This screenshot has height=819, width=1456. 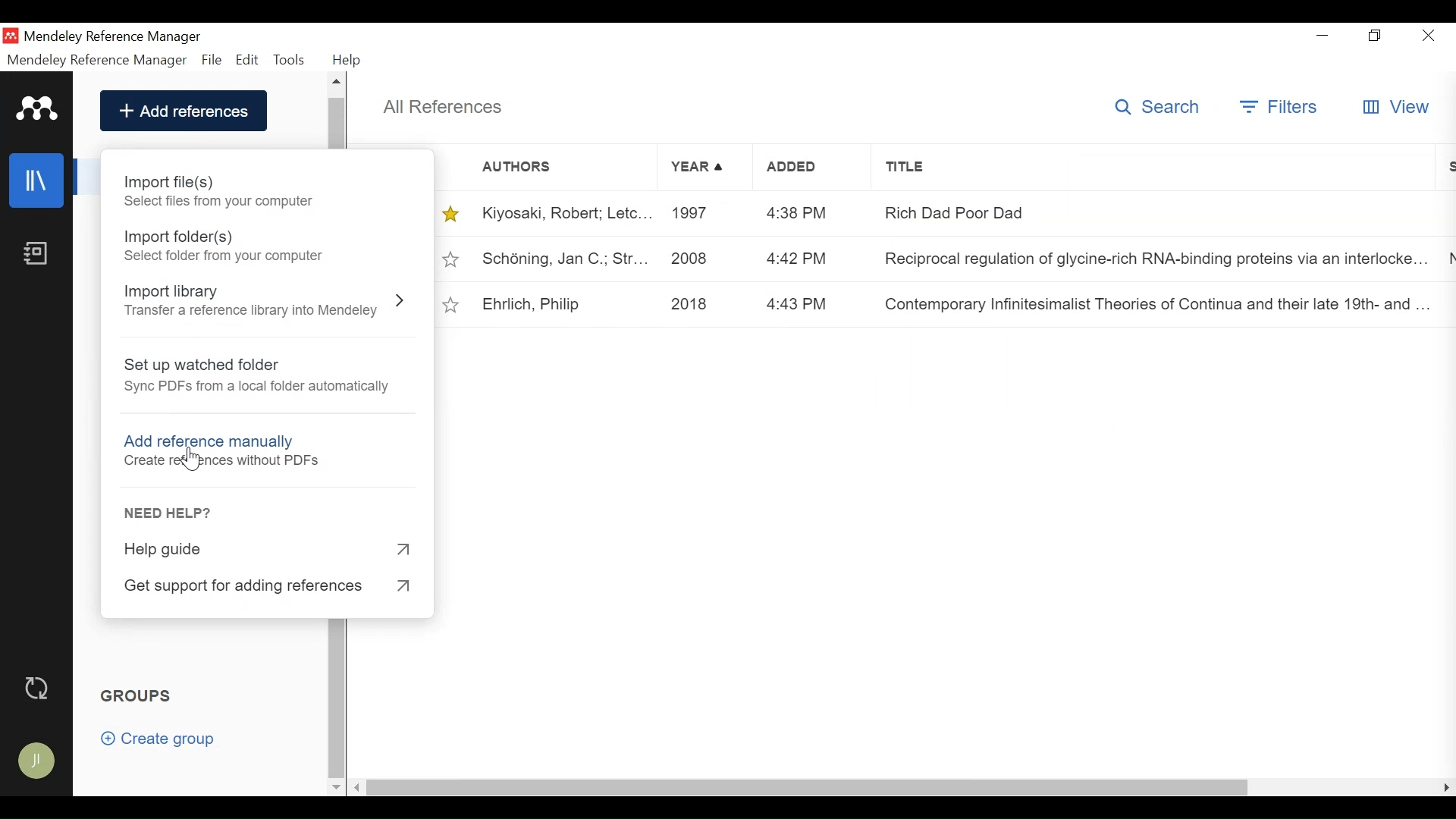 I want to click on Select Folder from computer, so click(x=226, y=258).